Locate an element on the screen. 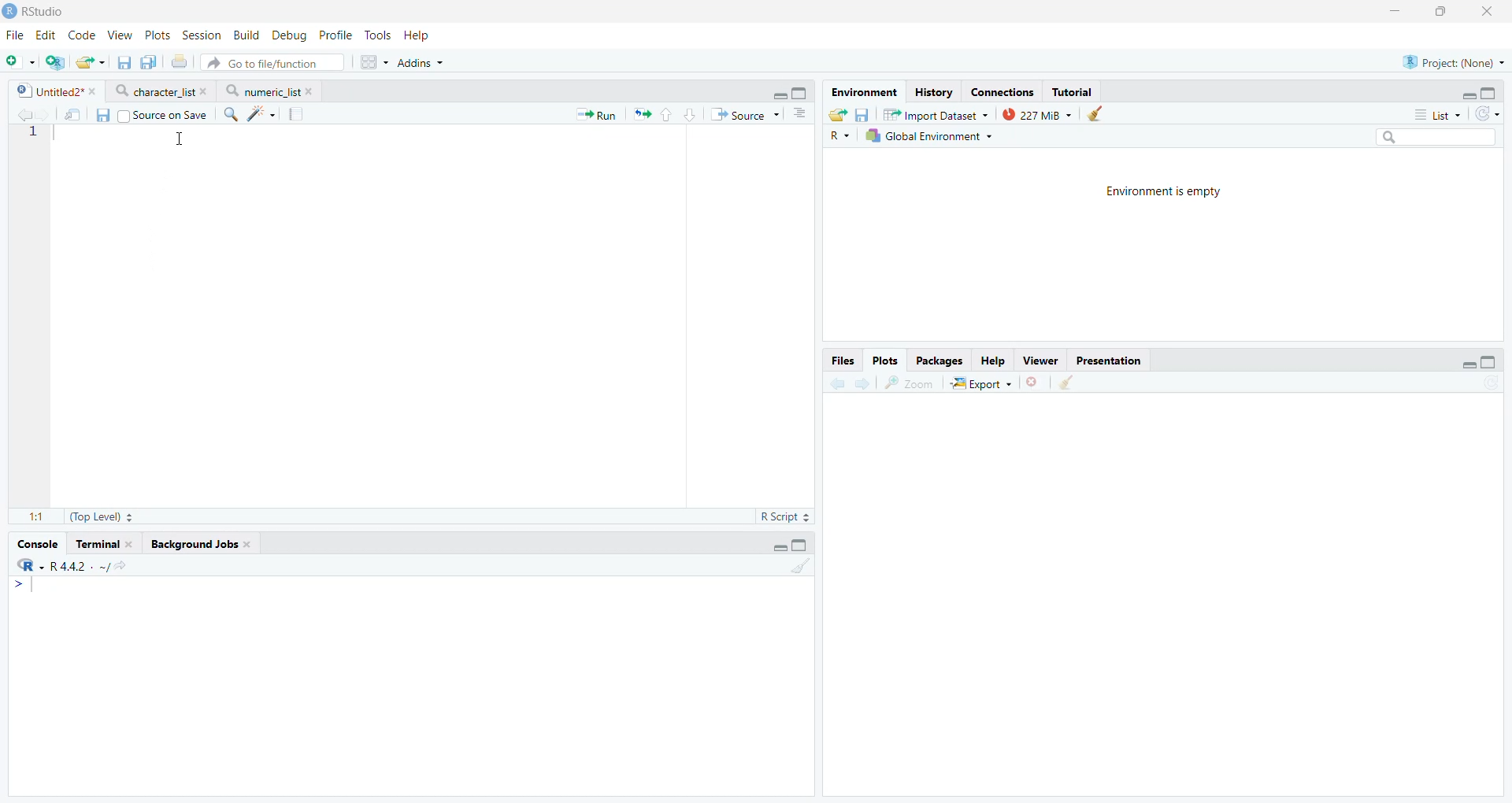 The width and height of the screenshot is (1512, 803). 1:1 is located at coordinates (32, 515).